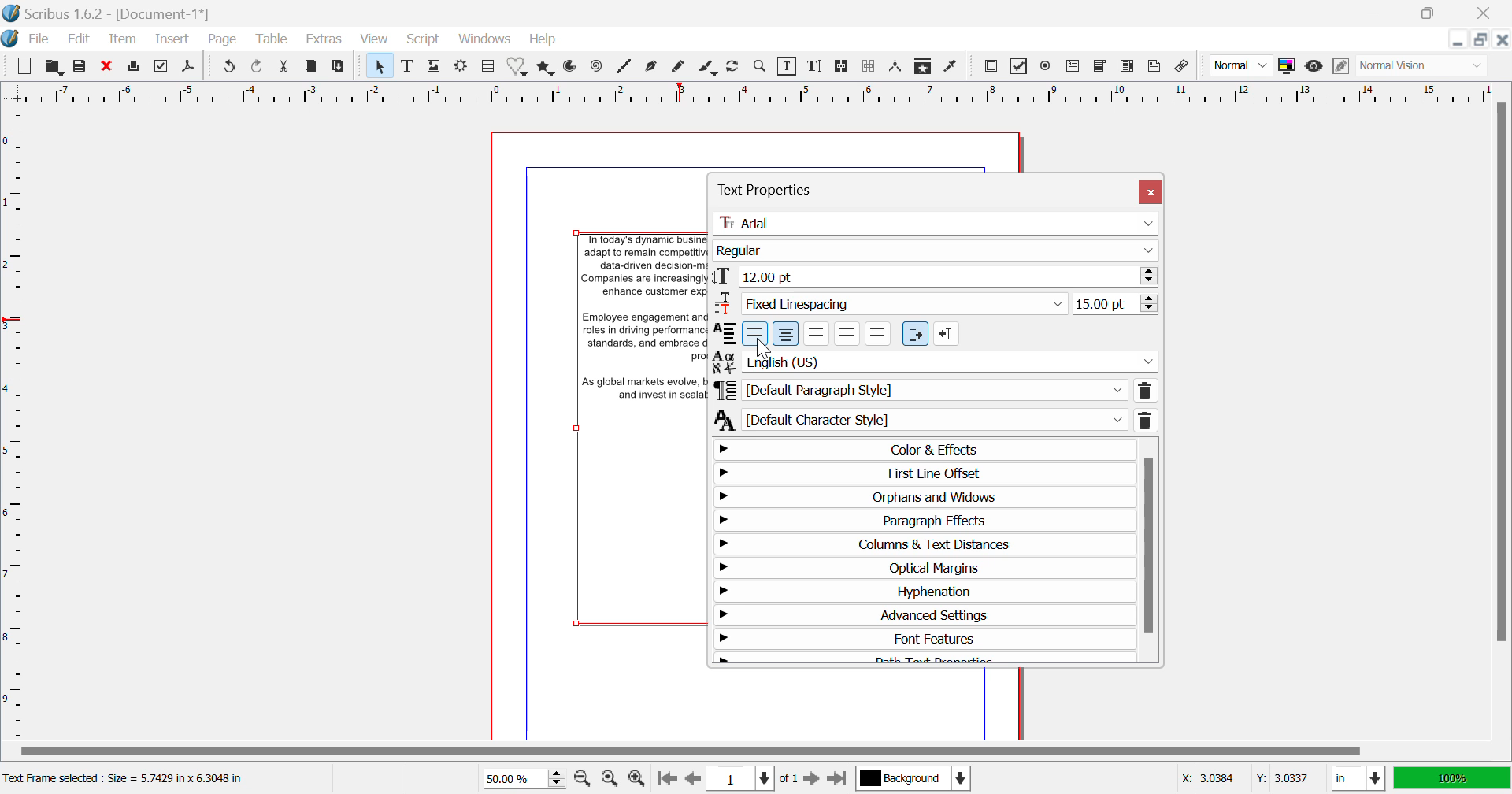 The width and height of the screenshot is (1512, 794). Describe the element at coordinates (937, 363) in the screenshot. I see `Language` at that location.